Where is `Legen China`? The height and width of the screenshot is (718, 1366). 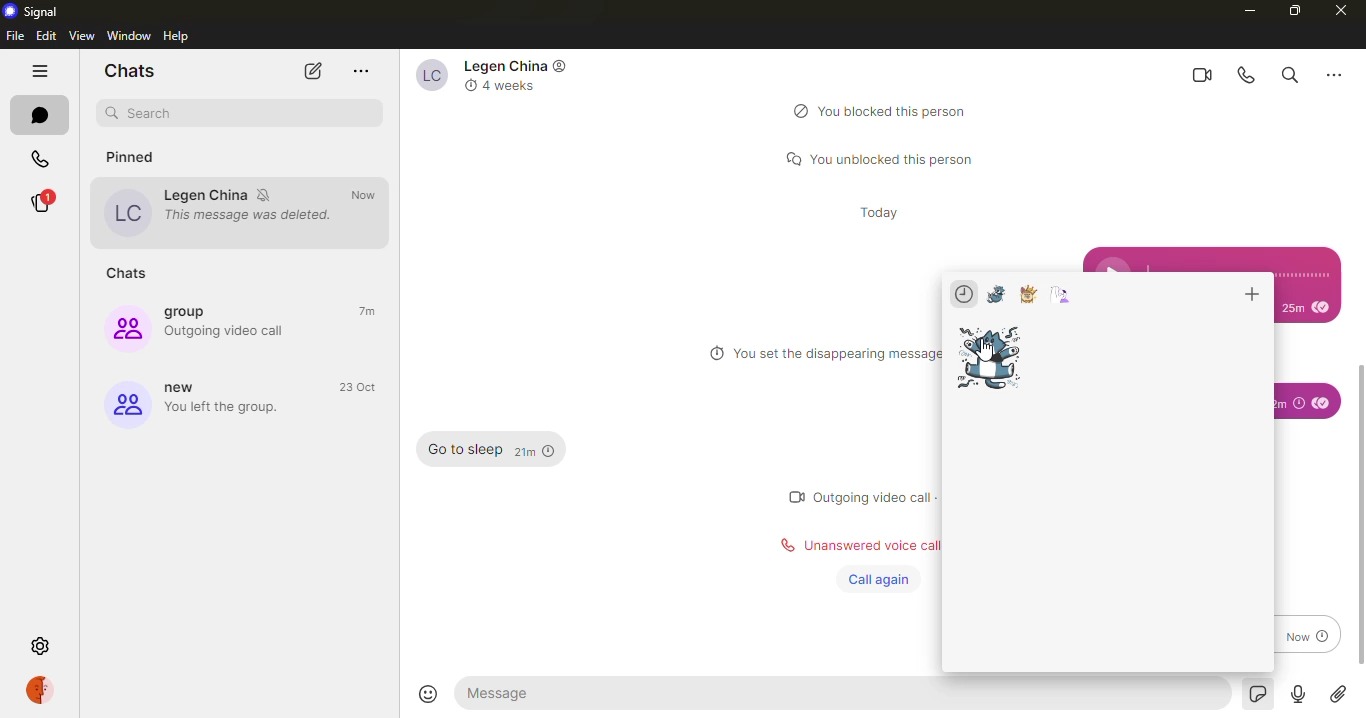 Legen China is located at coordinates (206, 195).